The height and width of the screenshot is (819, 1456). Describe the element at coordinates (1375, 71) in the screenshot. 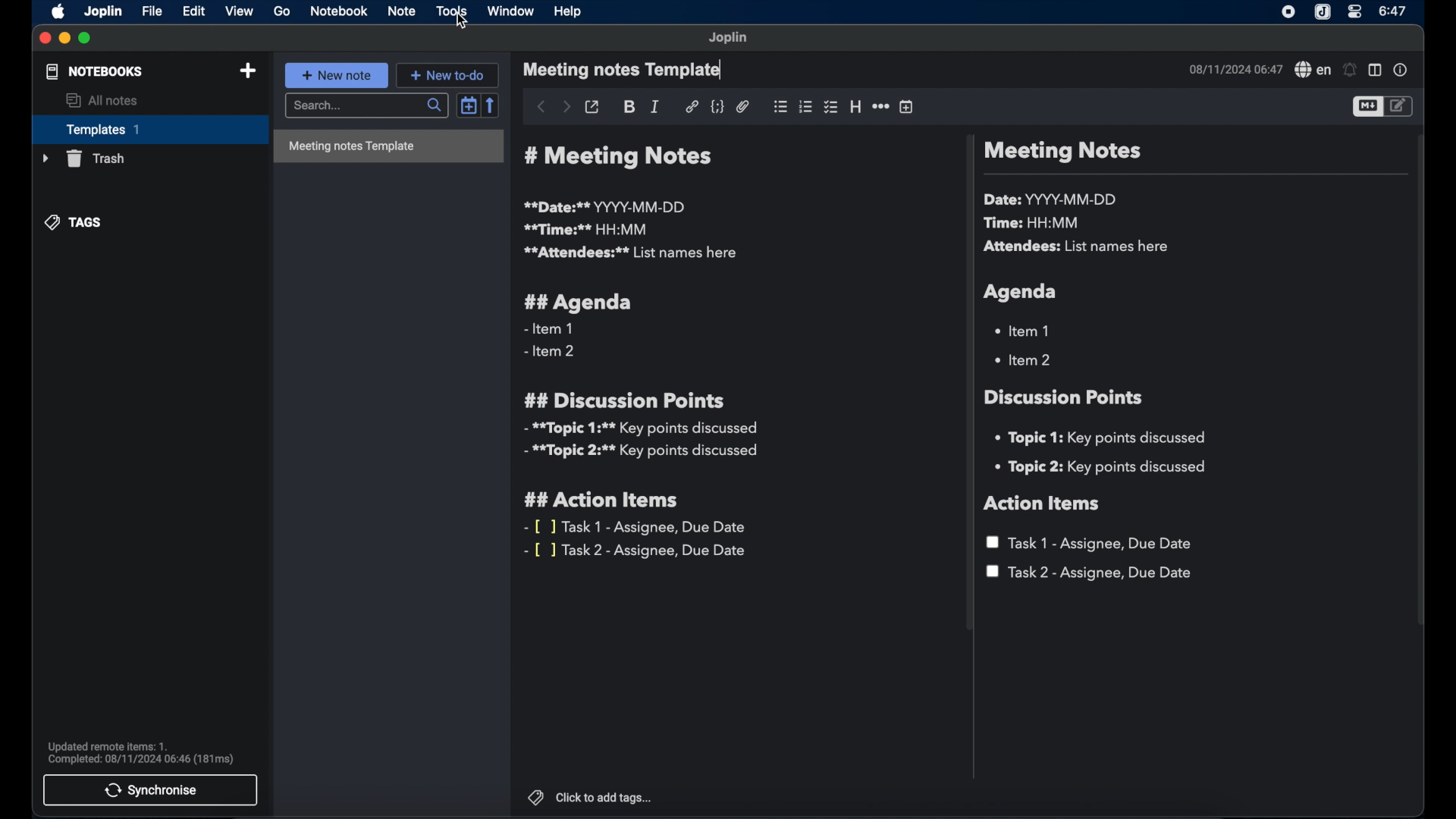

I see `toggle editor layout` at that location.